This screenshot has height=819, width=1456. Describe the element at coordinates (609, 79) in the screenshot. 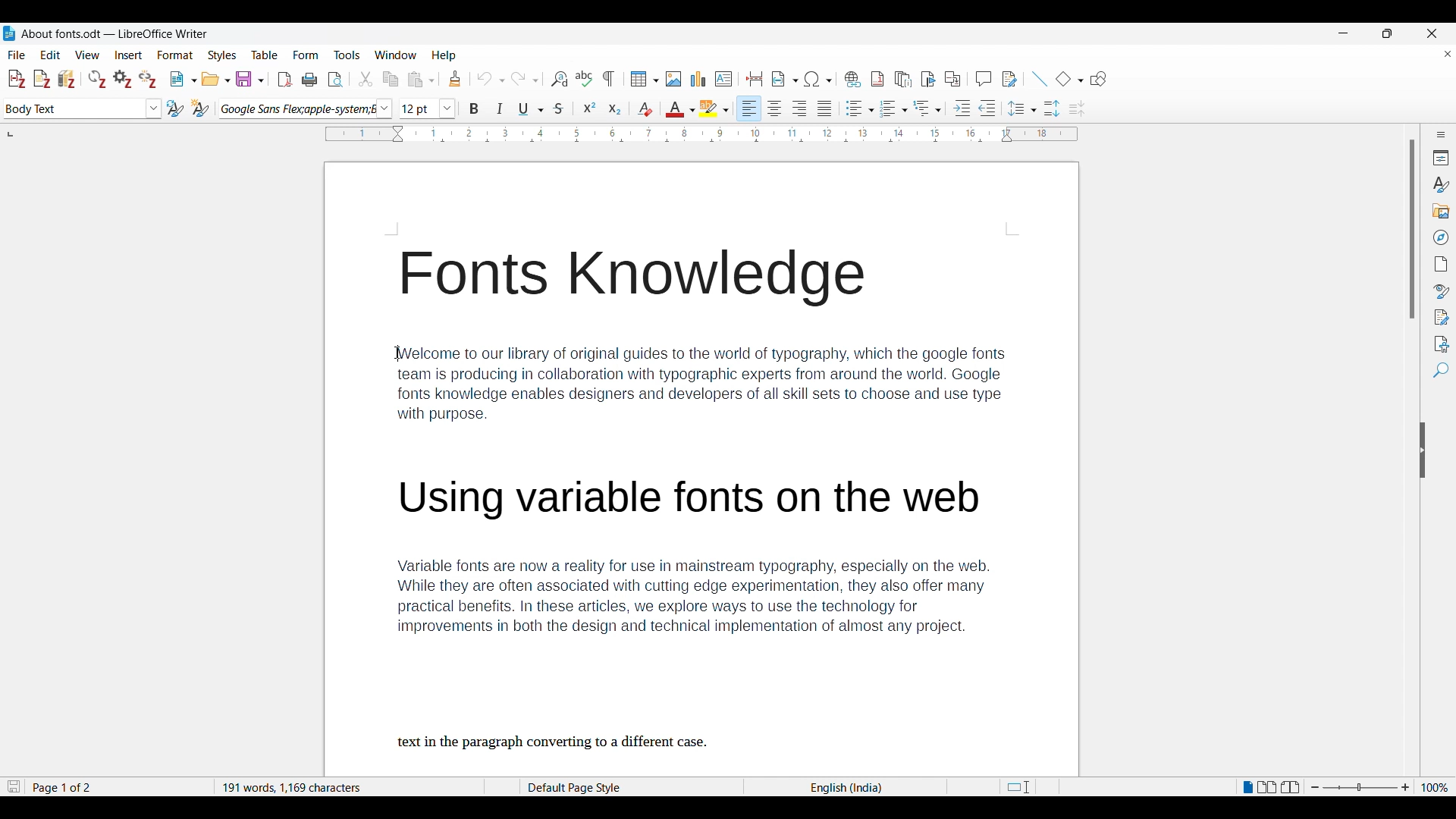

I see `Toggle formatting marks` at that location.